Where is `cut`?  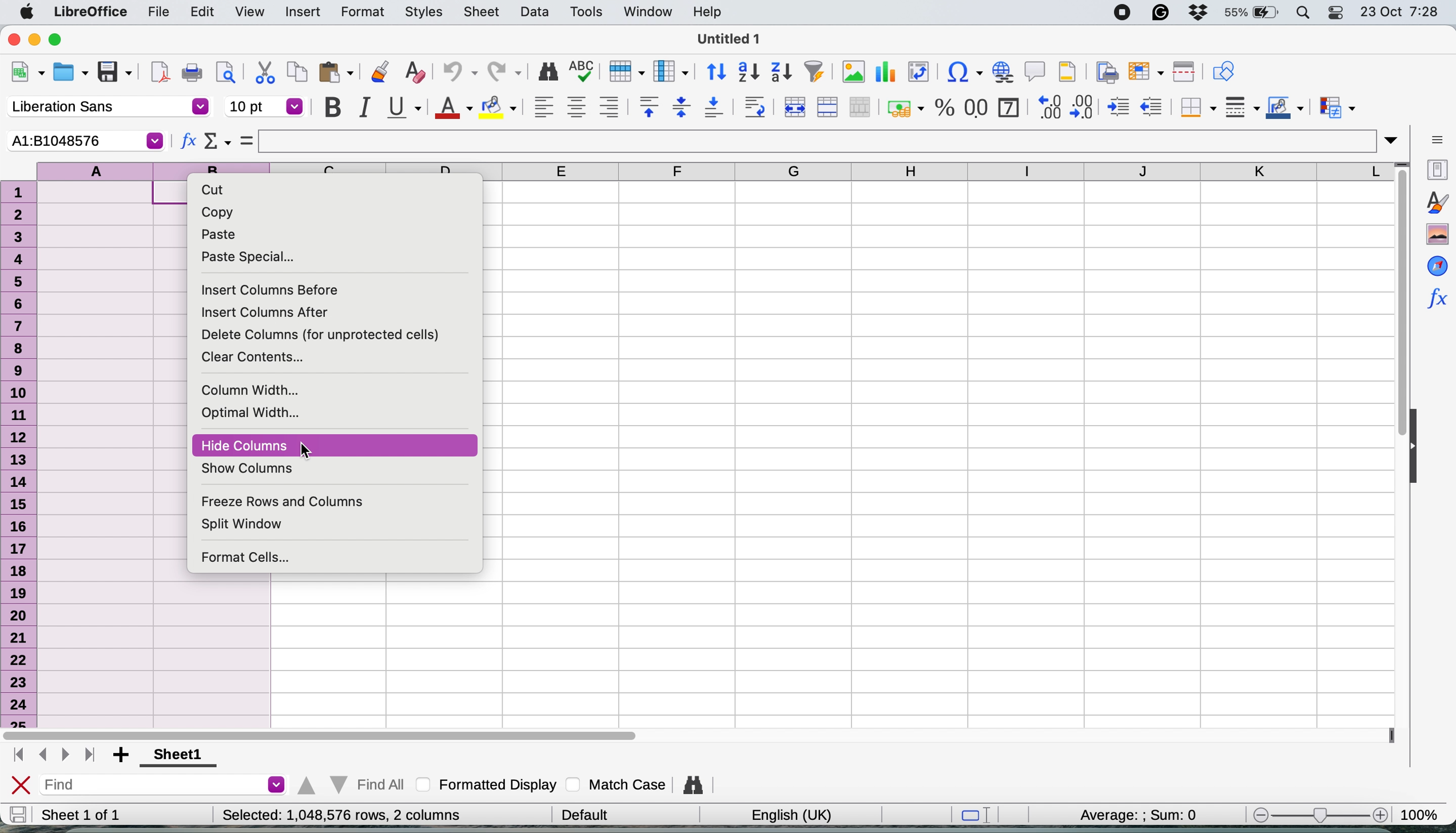 cut is located at coordinates (262, 73).